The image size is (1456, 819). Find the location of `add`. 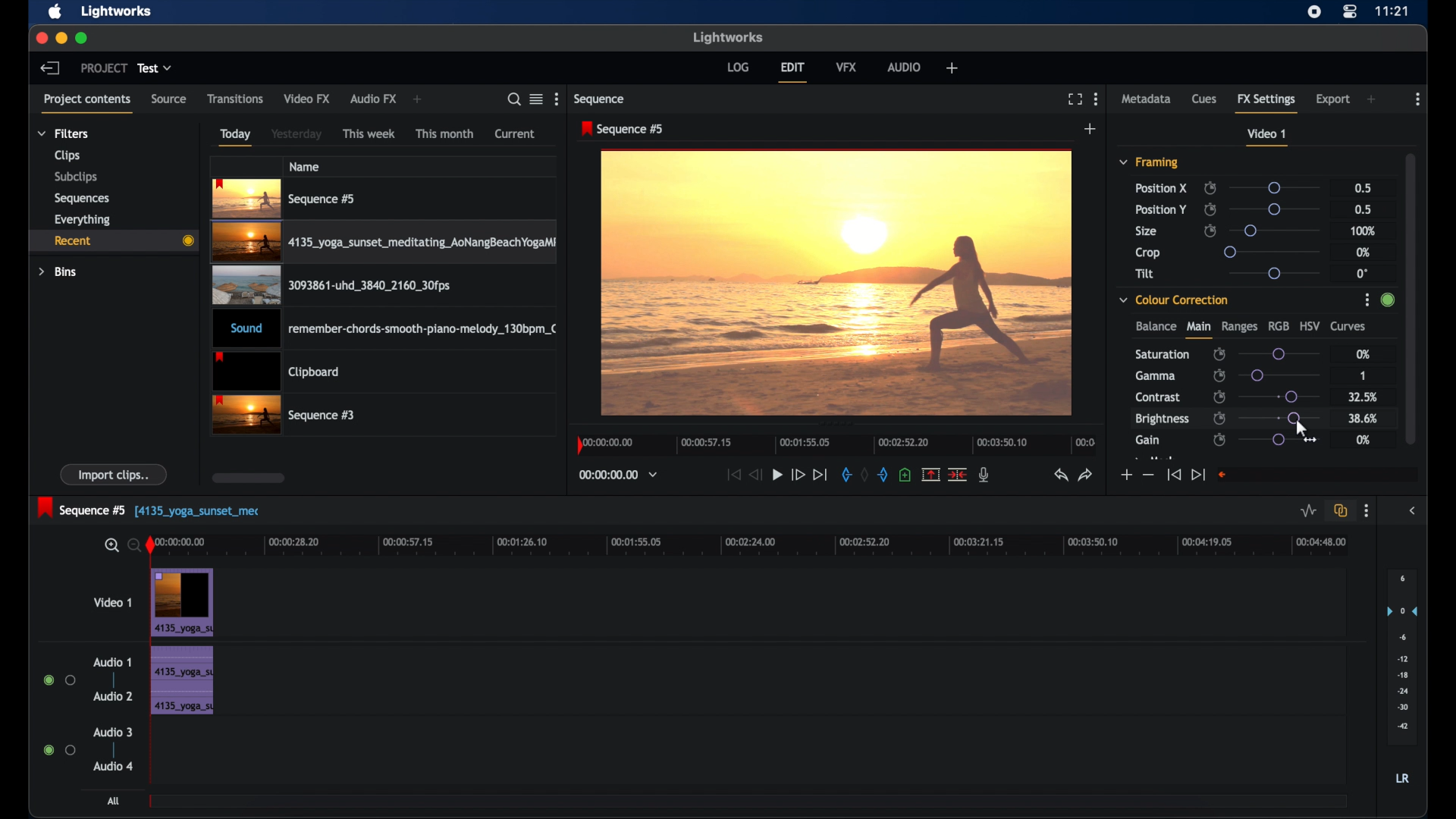

add is located at coordinates (417, 99).